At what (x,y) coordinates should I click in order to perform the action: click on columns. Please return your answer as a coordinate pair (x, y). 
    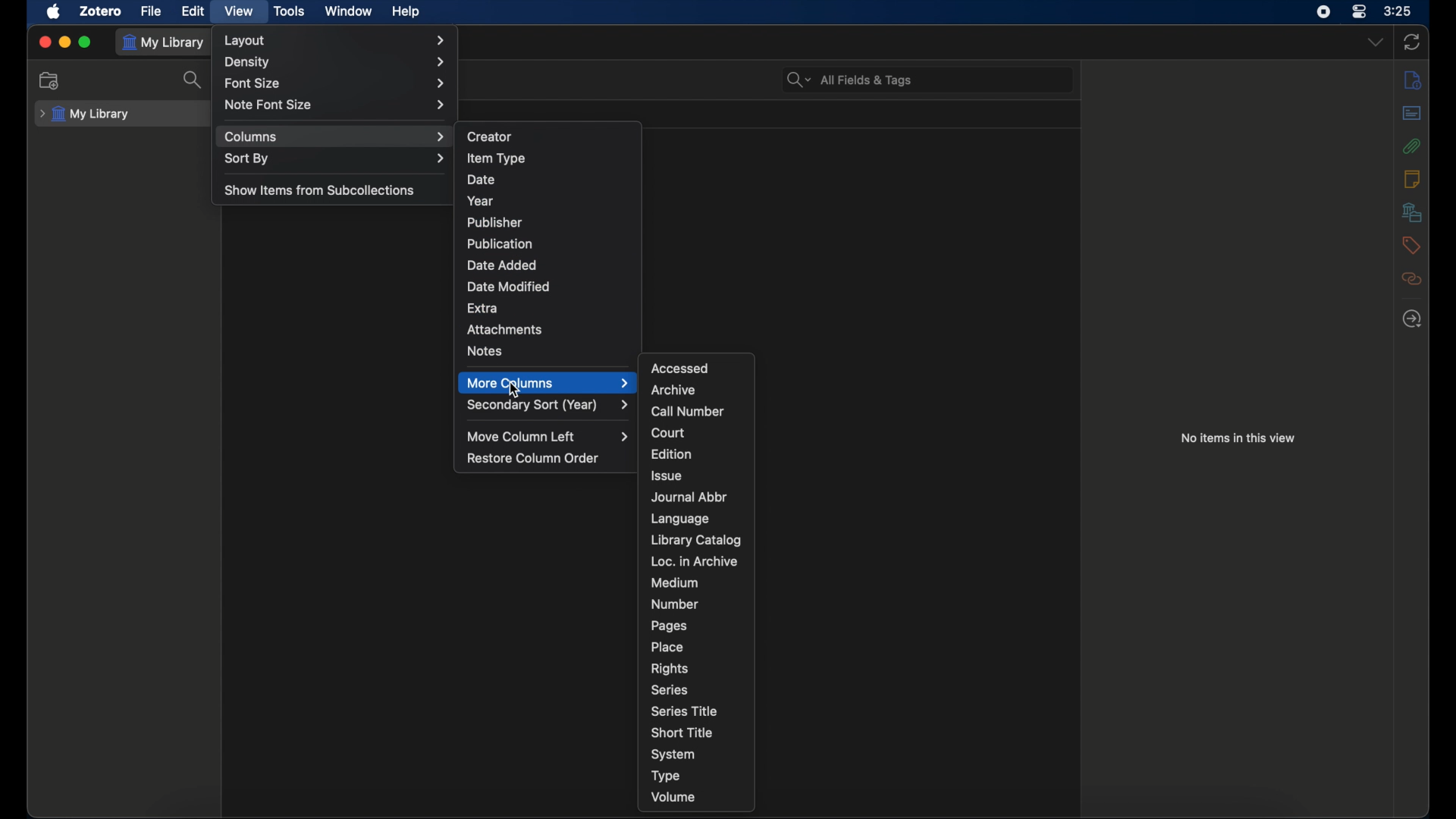
    Looking at the image, I should click on (335, 136).